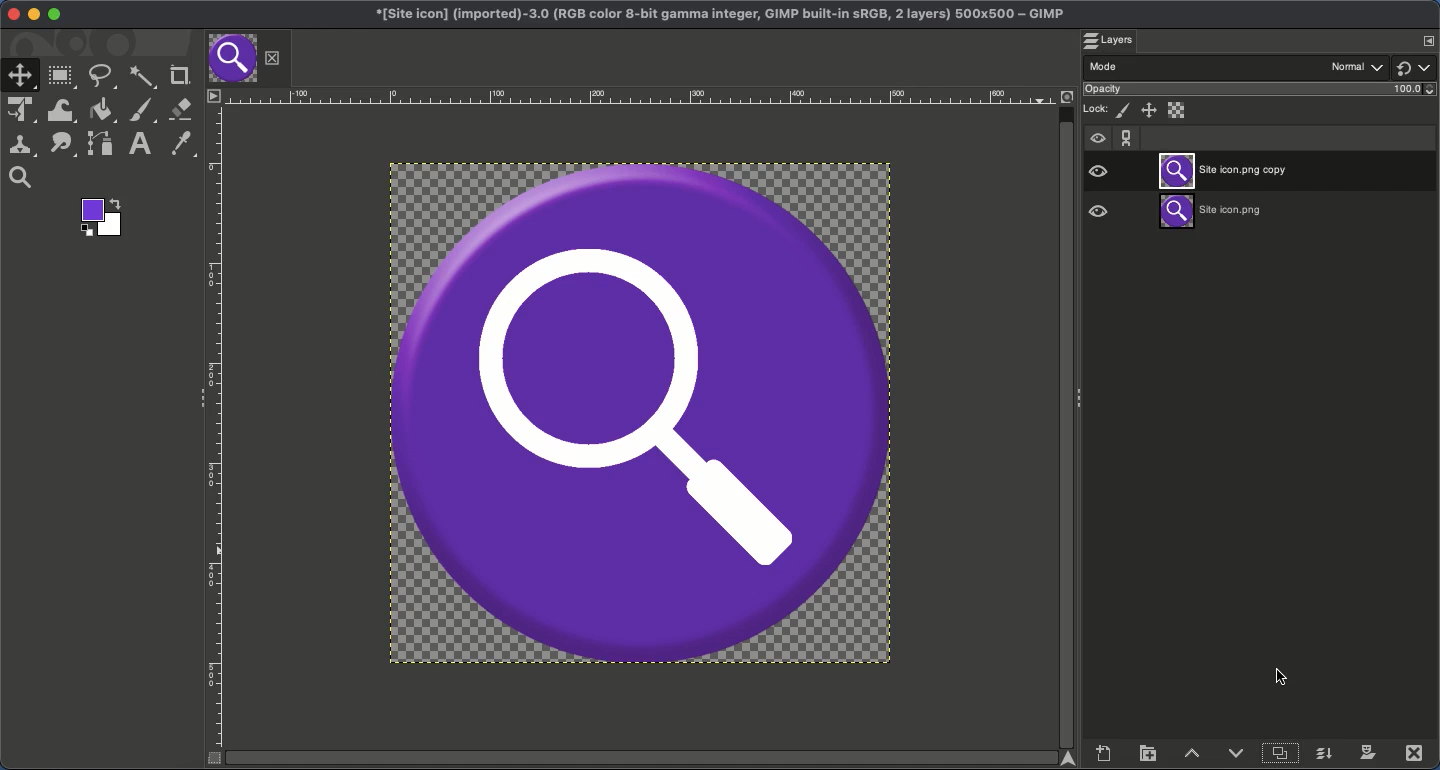 This screenshot has height=770, width=1440. What do you see at coordinates (1067, 415) in the screenshot?
I see `Scroll` at bounding box center [1067, 415].